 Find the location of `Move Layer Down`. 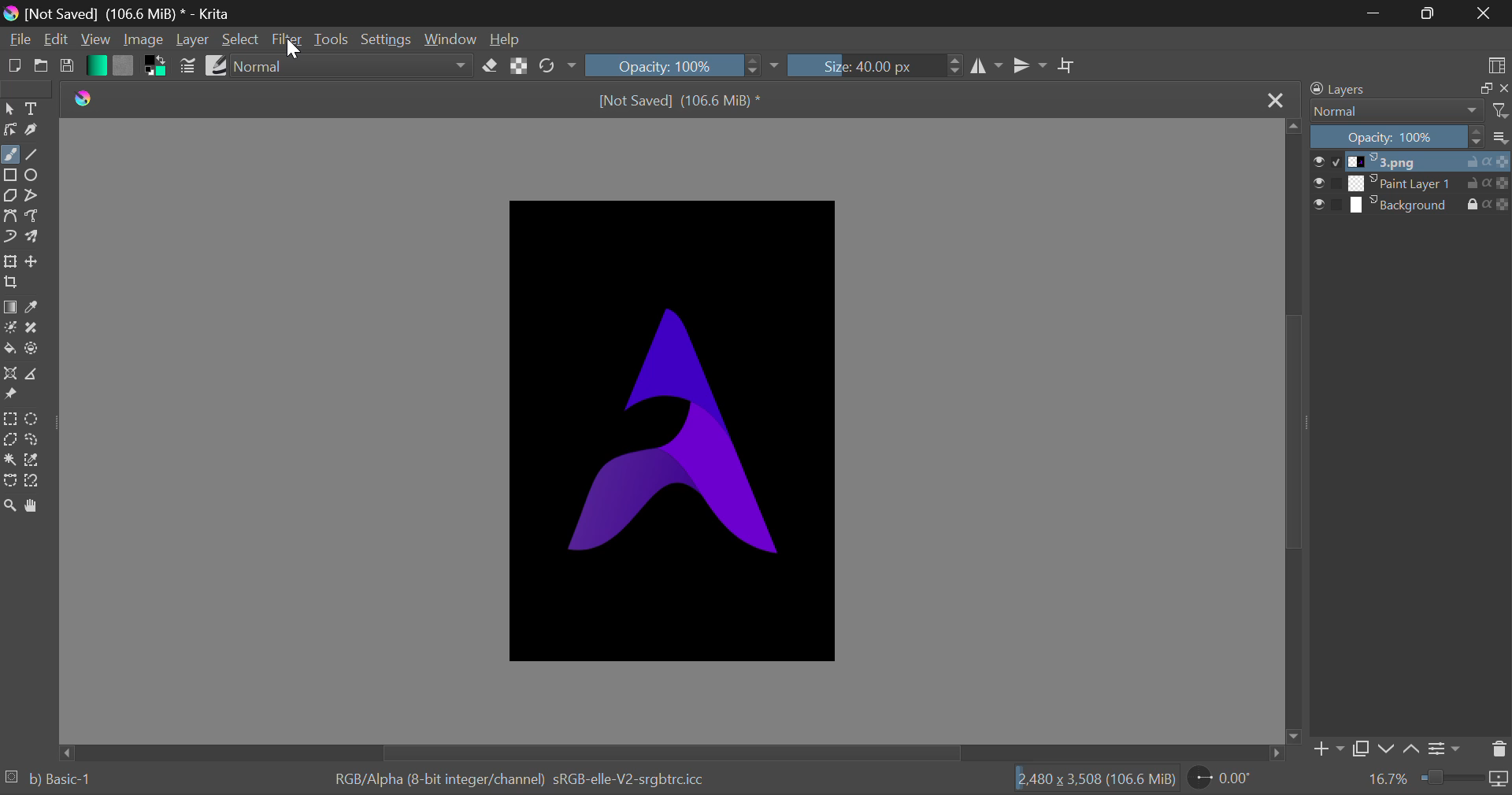

Move Layer Down is located at coordinates (1389, 748).